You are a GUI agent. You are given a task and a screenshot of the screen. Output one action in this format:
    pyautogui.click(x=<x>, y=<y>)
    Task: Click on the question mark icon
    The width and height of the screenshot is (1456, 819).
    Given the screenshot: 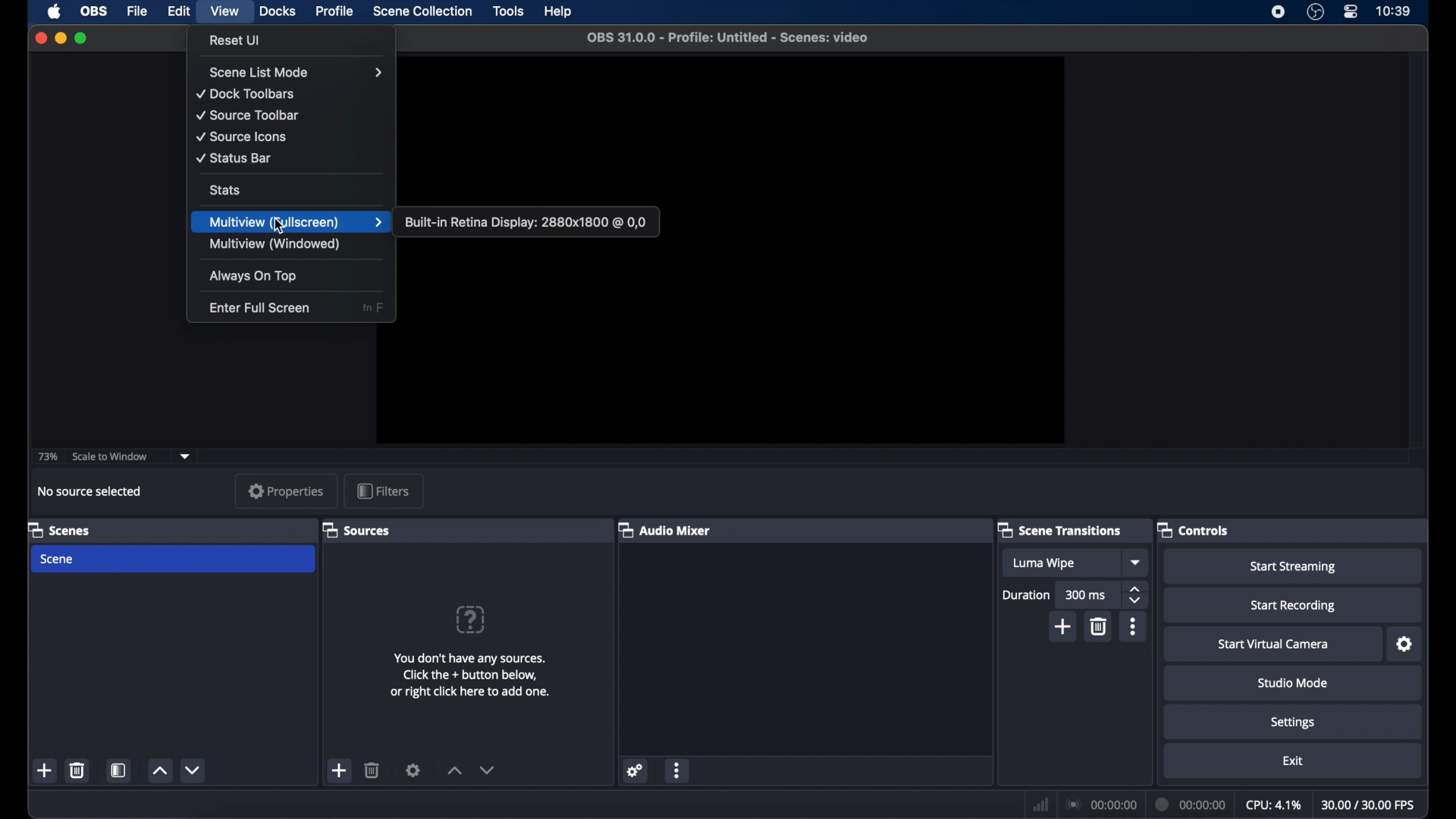 What is the action you would take?
    pyautogui.click(x=472, y=620)
    